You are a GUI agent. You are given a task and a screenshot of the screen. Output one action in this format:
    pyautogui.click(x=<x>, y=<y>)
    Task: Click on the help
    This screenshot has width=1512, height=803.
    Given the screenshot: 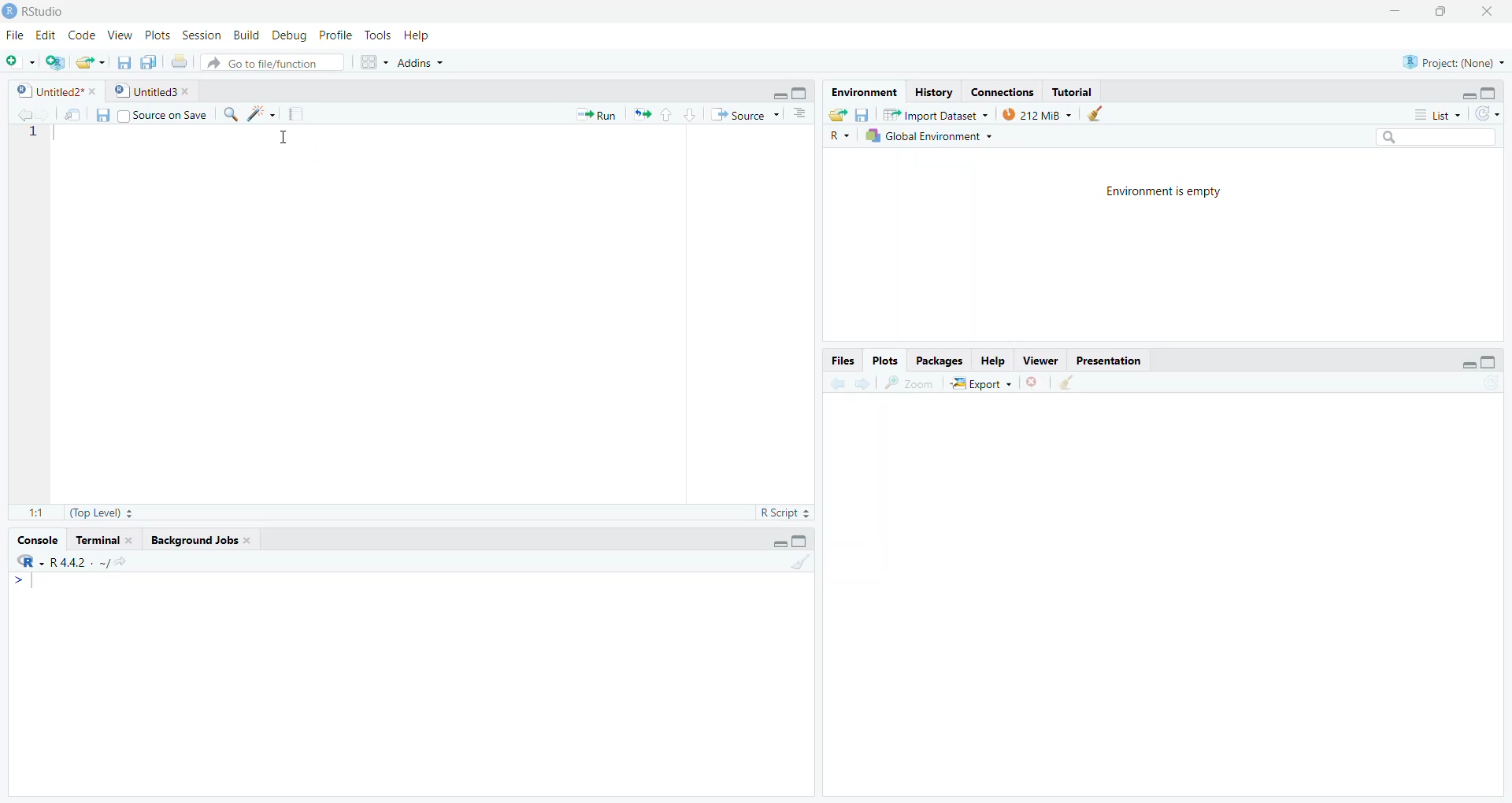 What is the action you would take?
    pyautogui.click(x=422, y=39)
    